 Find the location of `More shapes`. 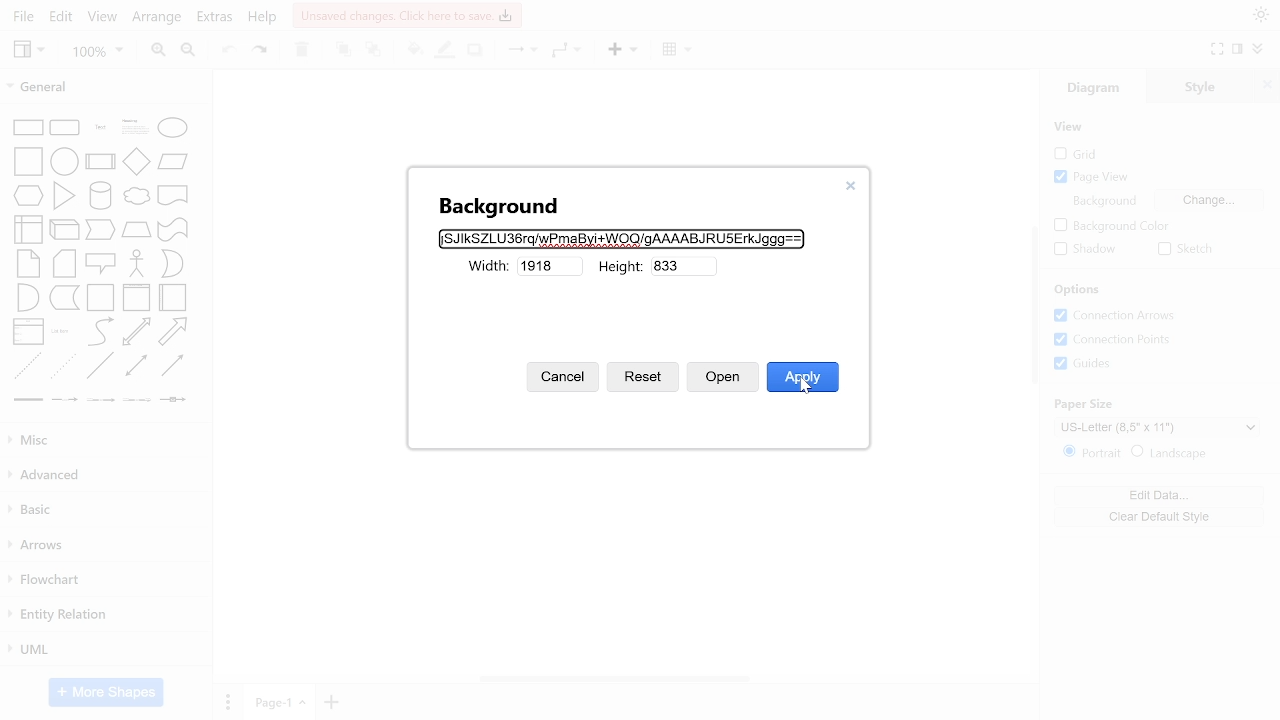

More shapes is located at coordinates (106, 692).